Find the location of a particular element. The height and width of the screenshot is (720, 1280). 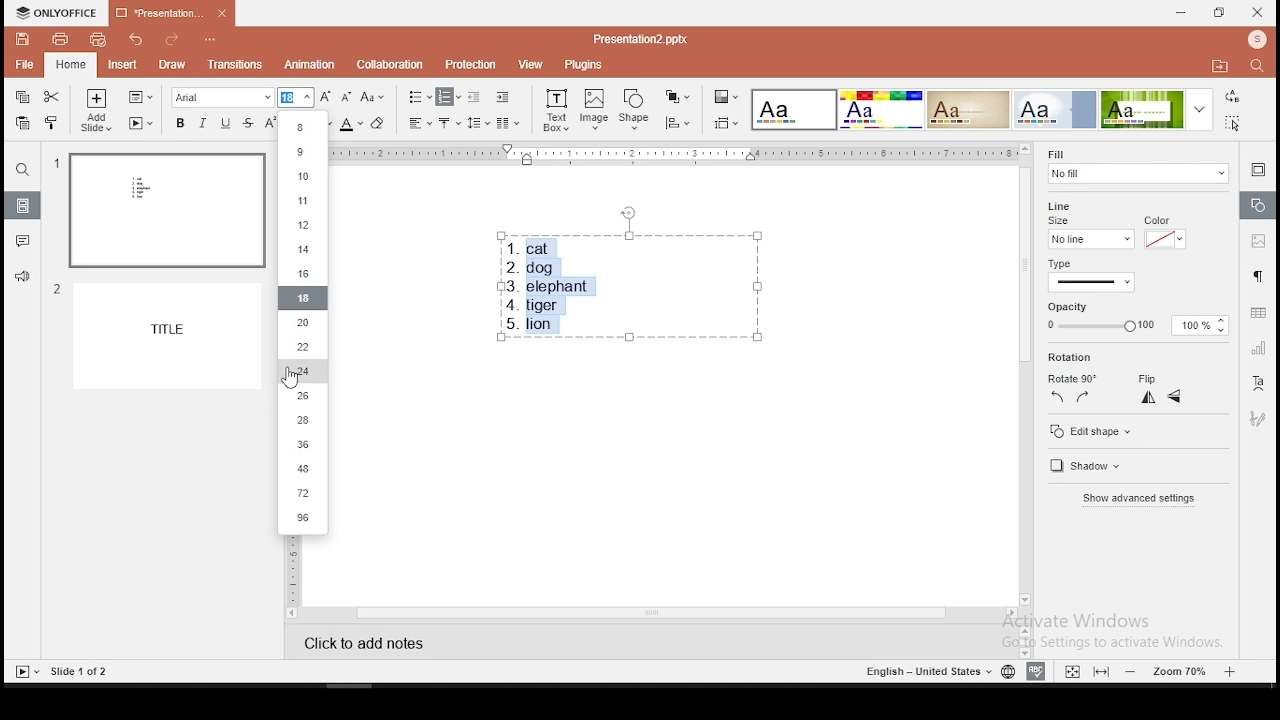

18 is located at coordinates (304, 297).